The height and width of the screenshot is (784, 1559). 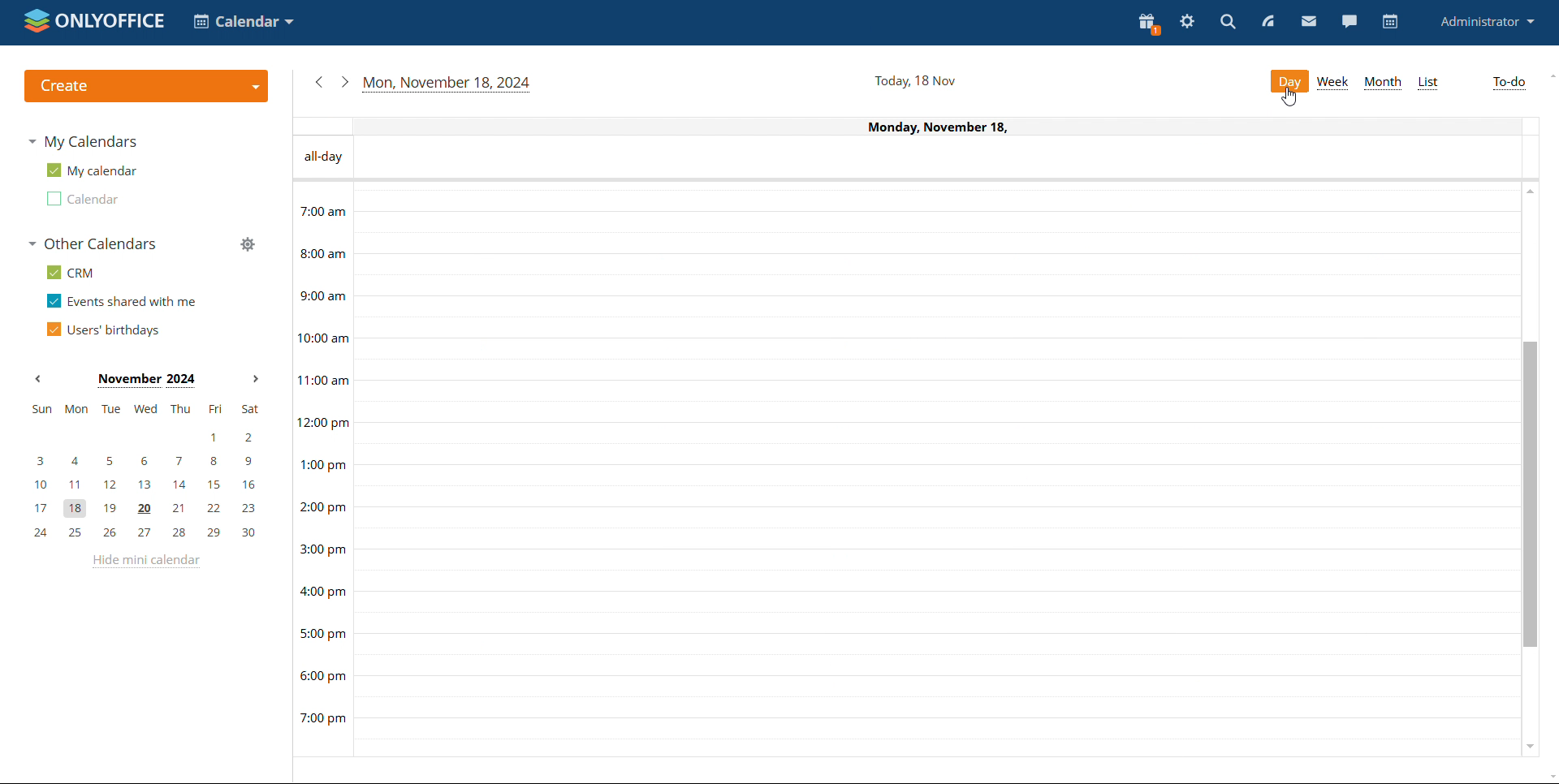 What do you see at coordinates (1268, 21) in the screenshot?
I see `feed` at bounding box center [1268, 21].